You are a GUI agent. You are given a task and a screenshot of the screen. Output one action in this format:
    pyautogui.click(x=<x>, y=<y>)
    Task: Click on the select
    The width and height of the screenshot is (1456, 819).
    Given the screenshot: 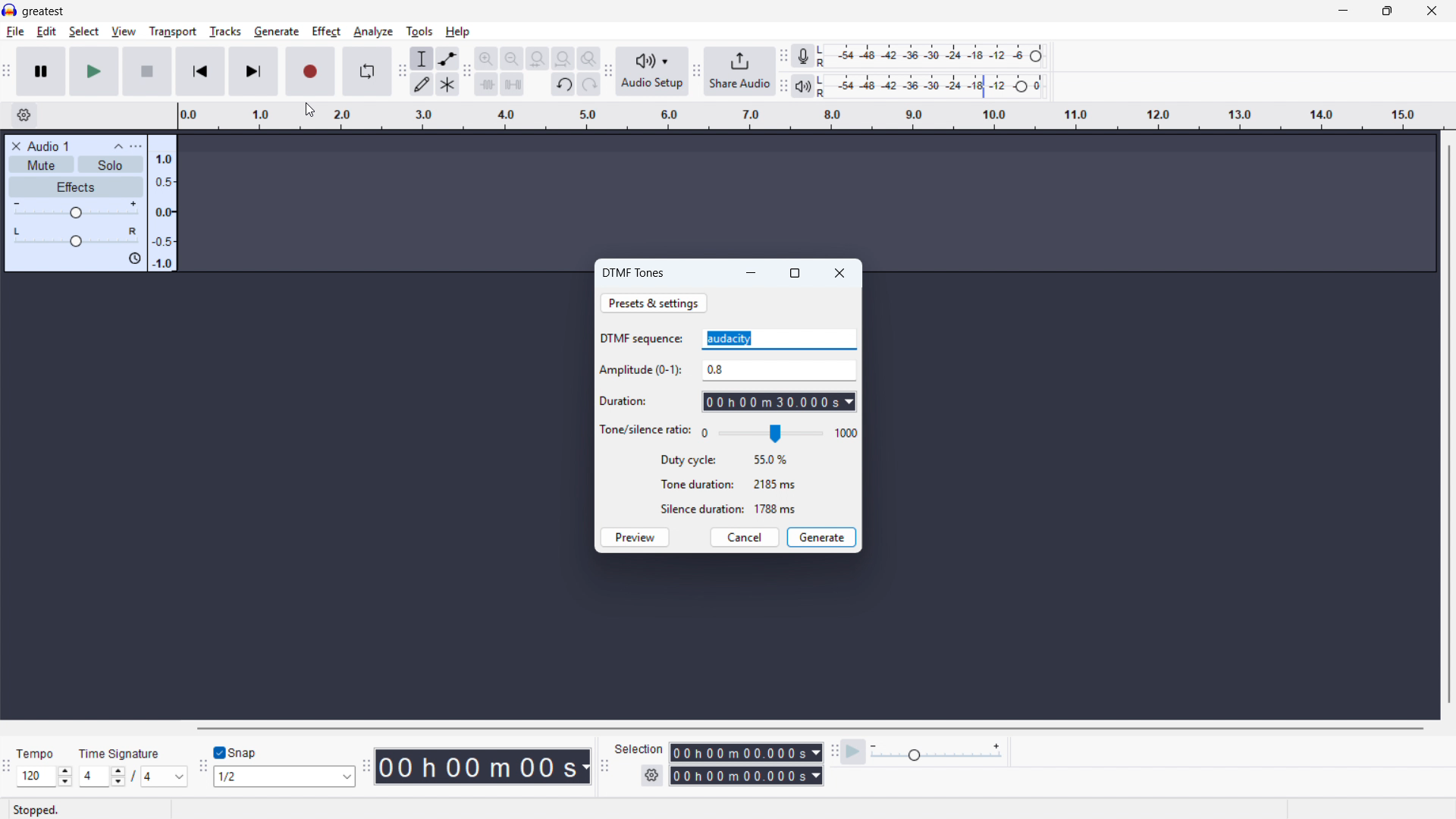 What is the action you would take?
    pyautogui.click(x=83, y=31)
    